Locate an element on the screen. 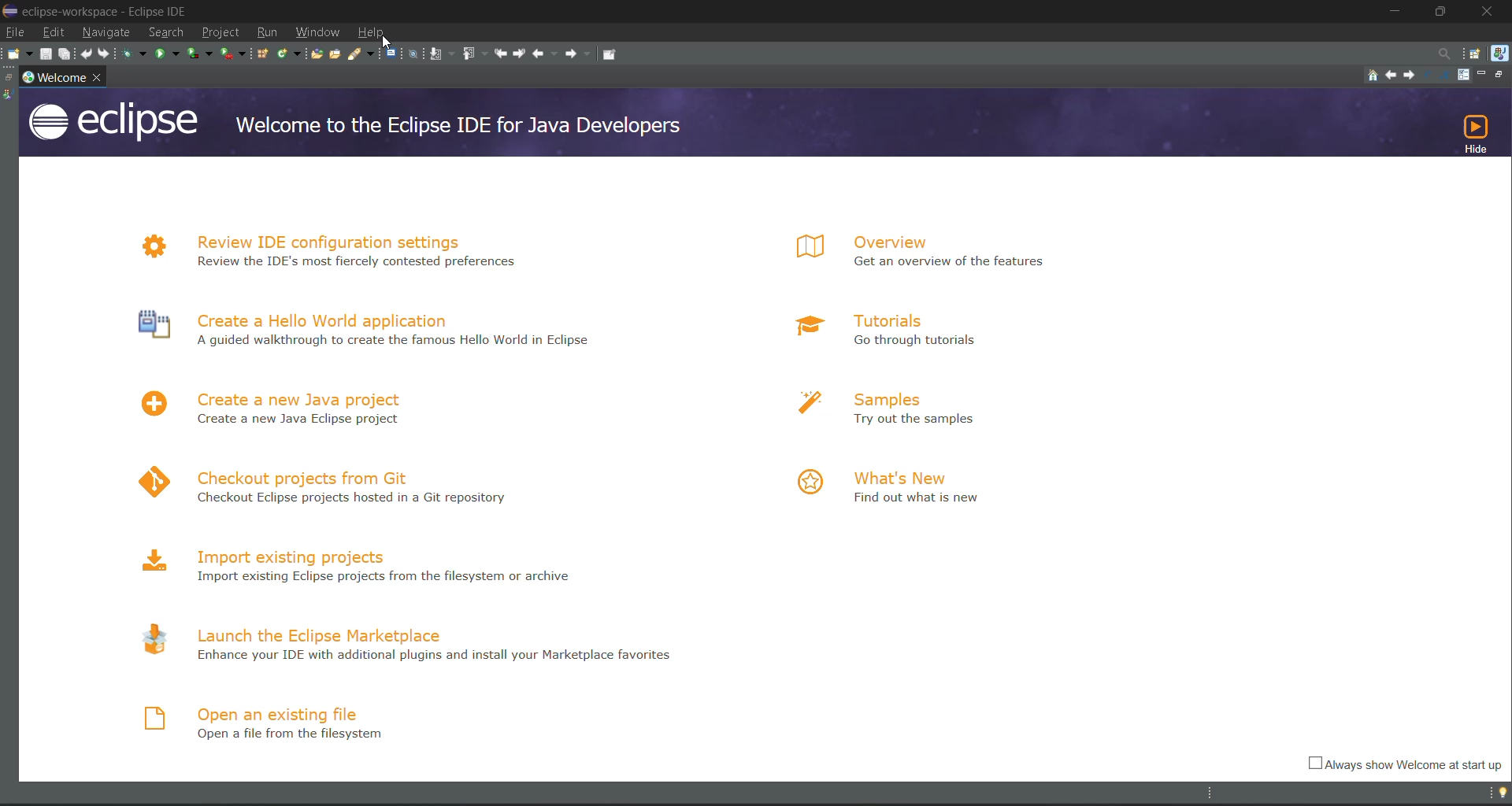 Image resolution: width=1512 pixels, height=806 pixels. review IDE configuration settings is located at coordinates (329, 242).